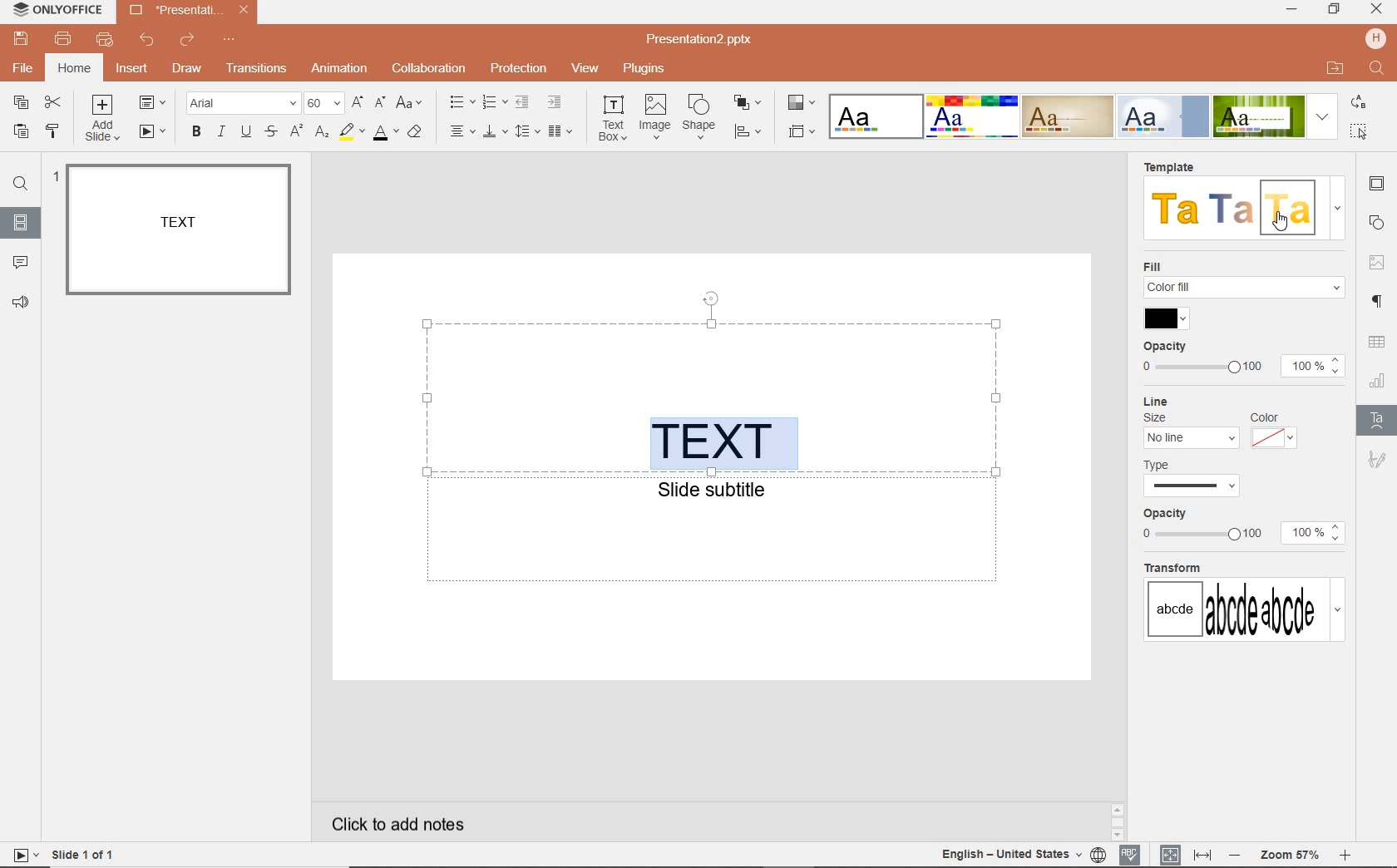 This screenshot has height=868, width=1397. I want to click on TEXT FIELD, so click(711, 397).